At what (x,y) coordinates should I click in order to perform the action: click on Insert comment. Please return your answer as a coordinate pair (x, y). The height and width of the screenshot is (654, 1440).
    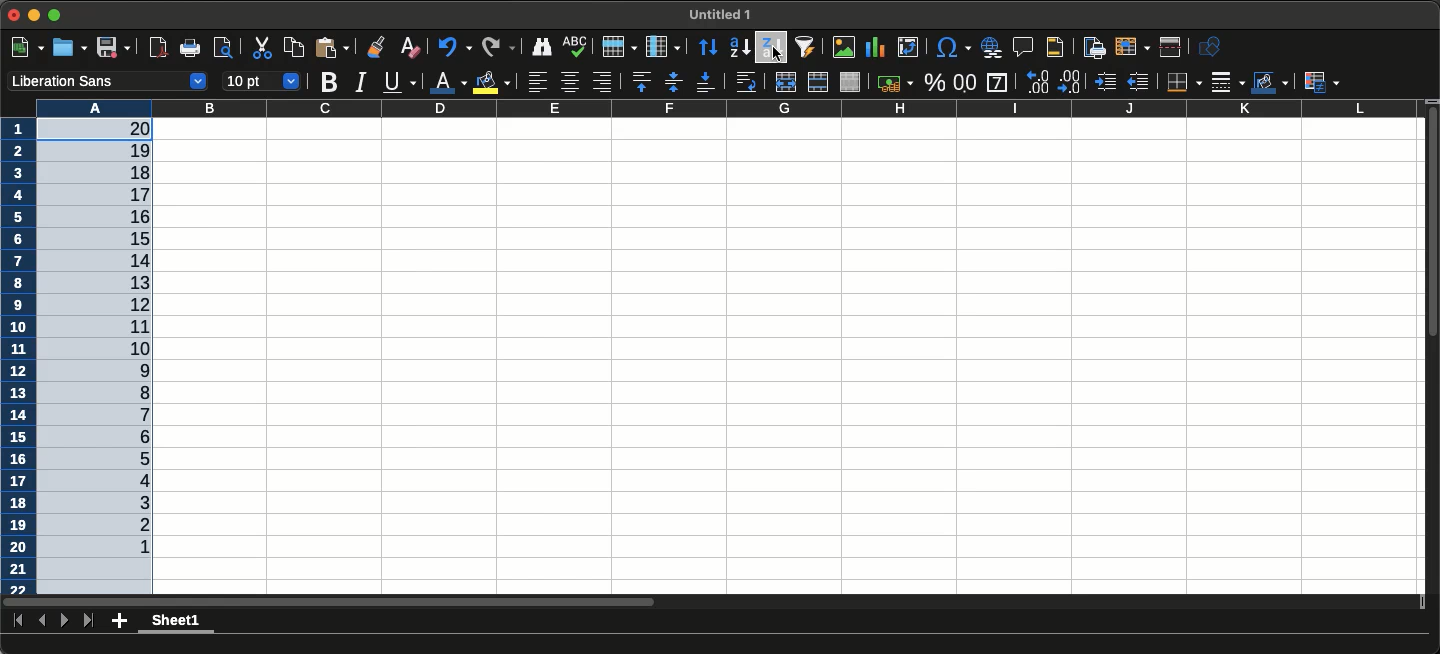
    Looking at the image, I should click on (1023, 47).